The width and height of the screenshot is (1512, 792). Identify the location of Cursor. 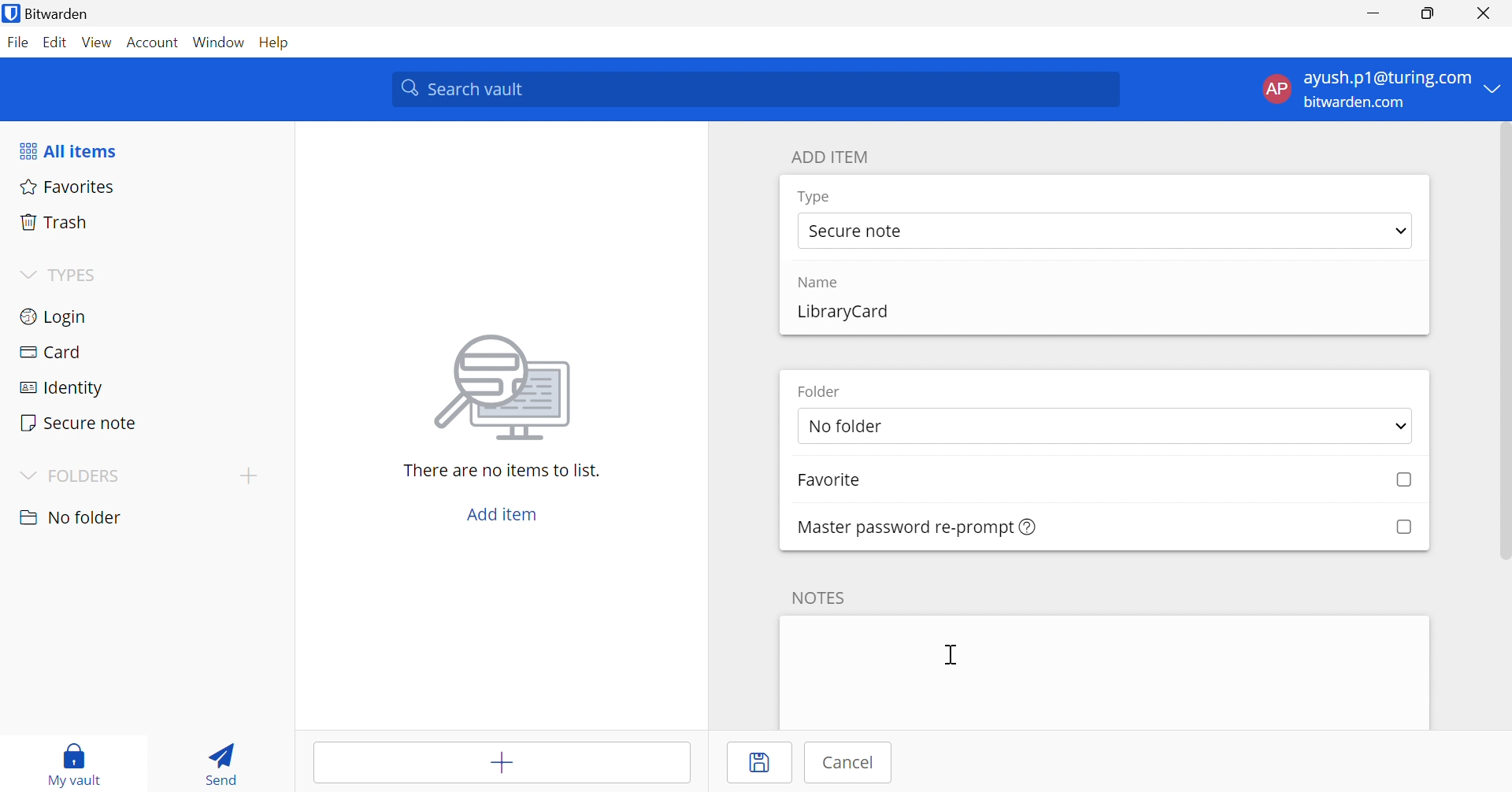
(954, 653).